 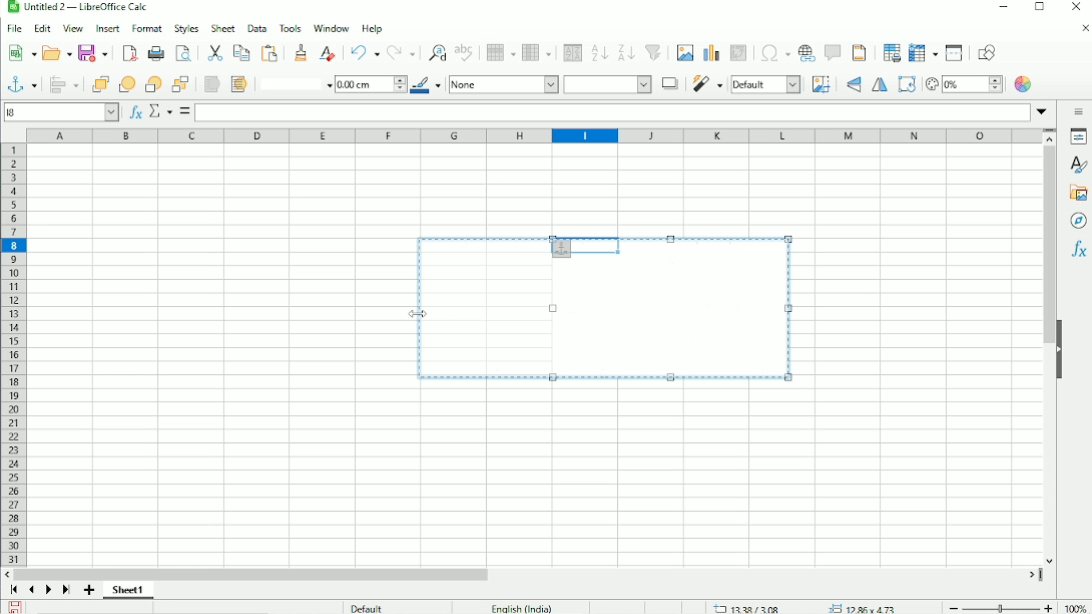 I want to click on Paste, so click(x=271, y=53).